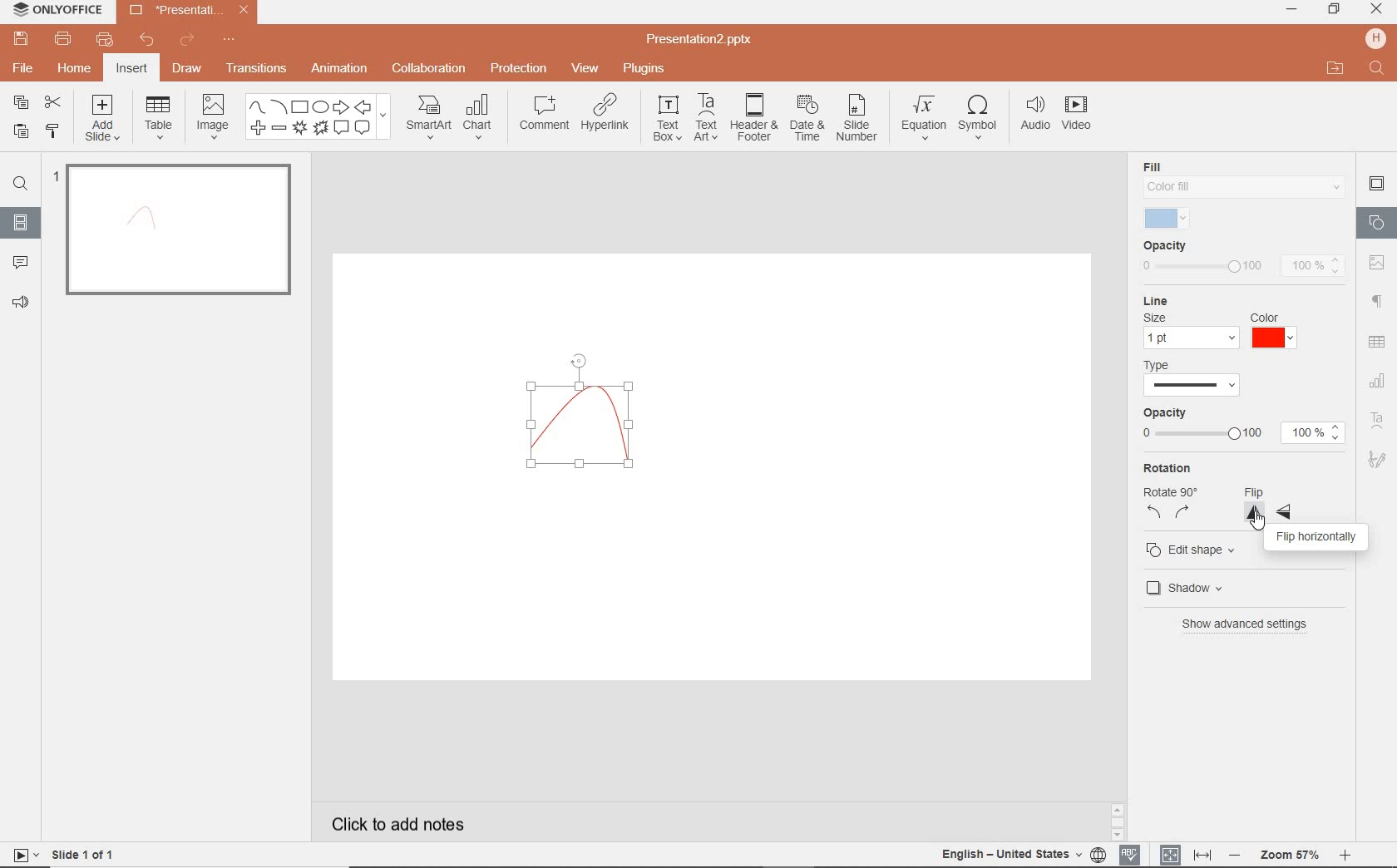 This screenshot has height=868, width=1397. What do you see at coordinates (1246, 180) in the screenshot?
I see `fill` at bounding box center [1246, 180].